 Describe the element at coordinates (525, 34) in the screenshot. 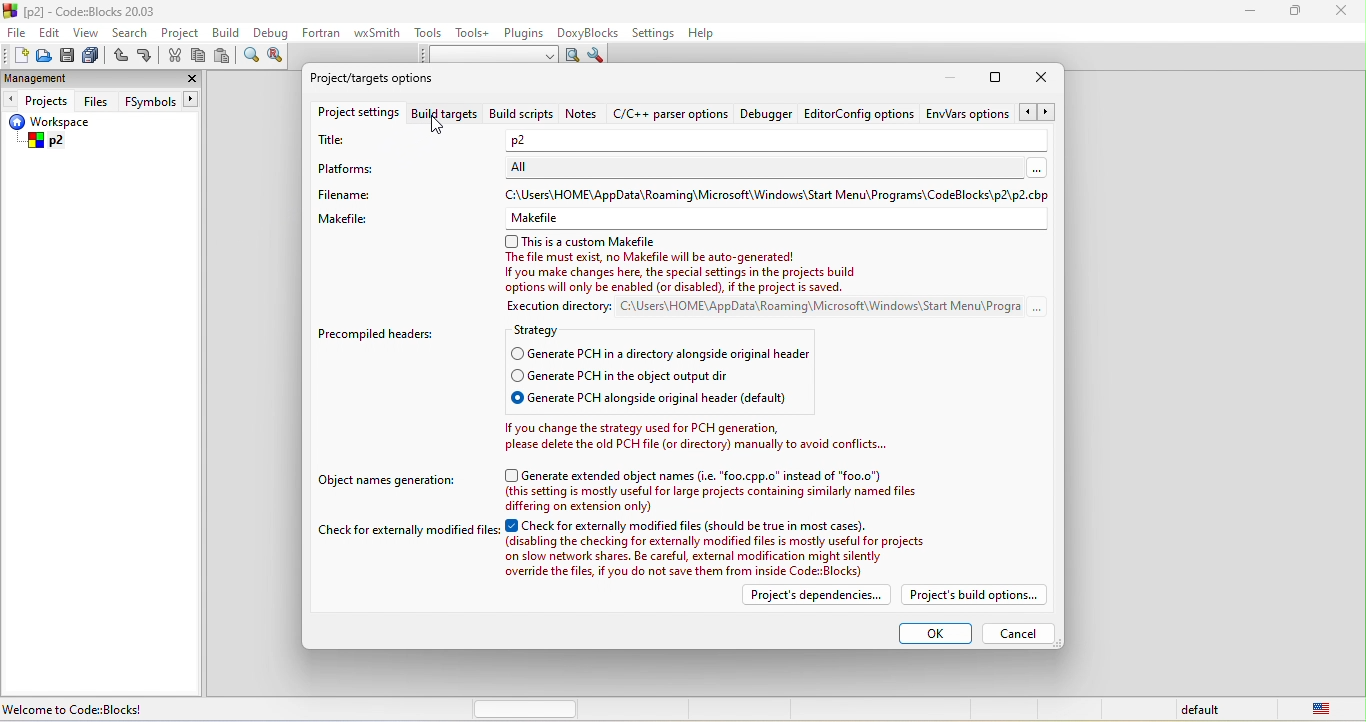

I see `plugins` at that location.